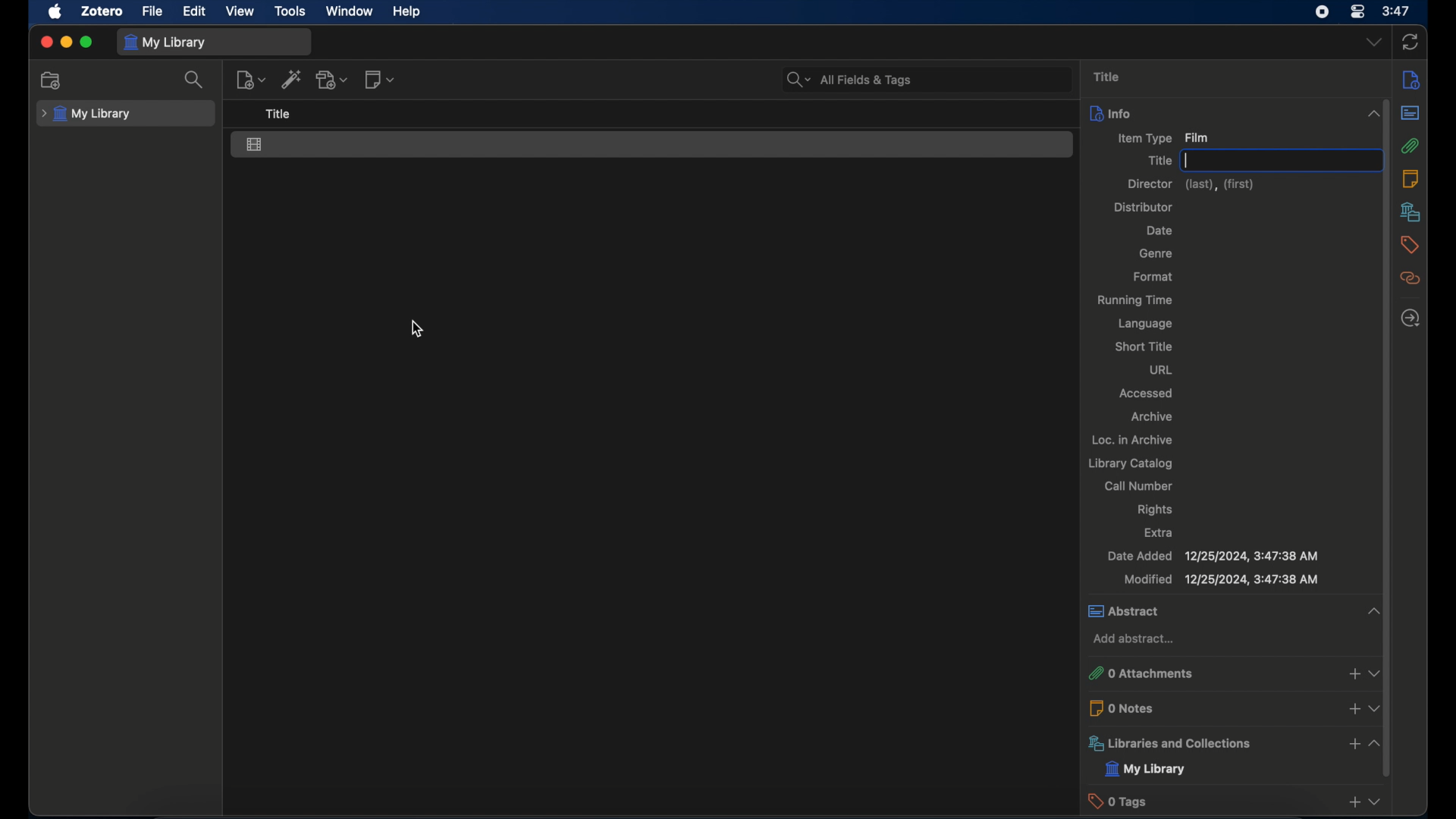 Image resolution: width=1456 pixels, height=819 pixels. What do you see at coordinates (1141, 485) in the screenshot?
I see `call number` at bounding box center [1141, 485].